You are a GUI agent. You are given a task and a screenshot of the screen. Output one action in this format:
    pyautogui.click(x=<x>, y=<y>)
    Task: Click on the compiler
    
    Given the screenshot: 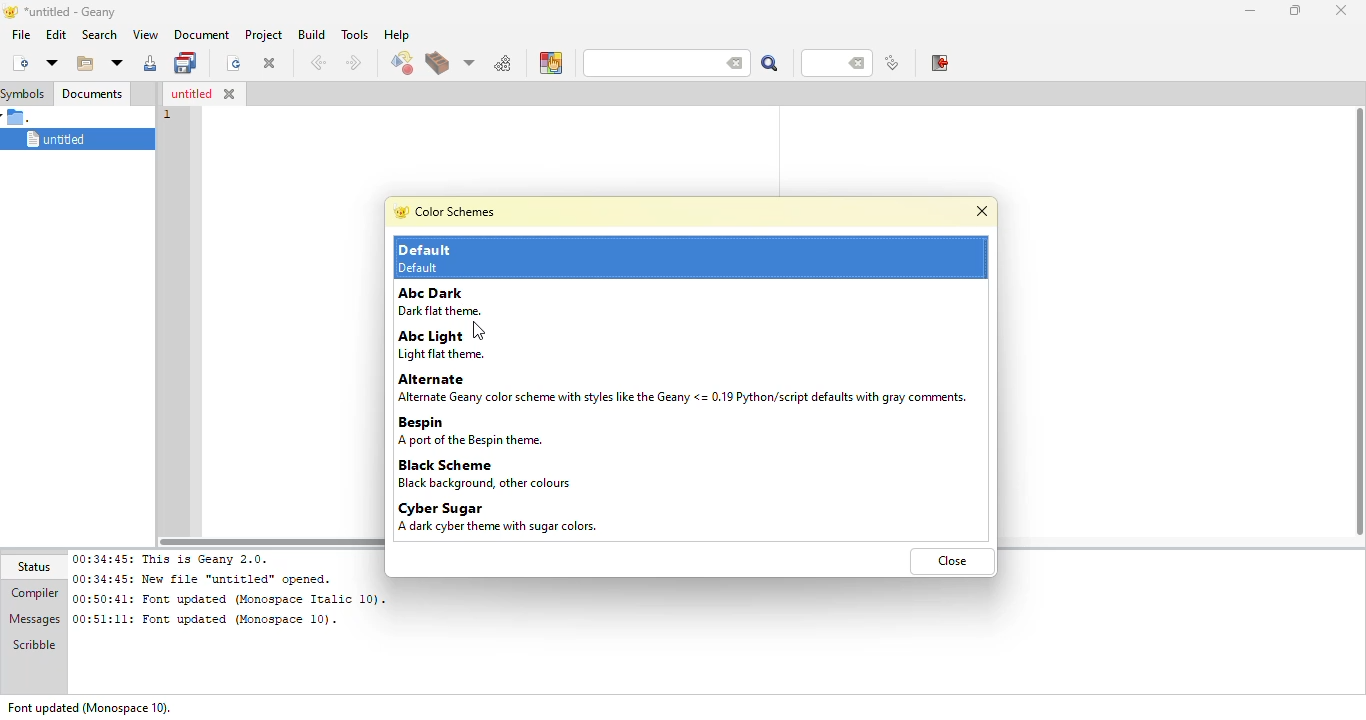 What is the action you would take?
    pyautogui.click(x=34, y=593)
    